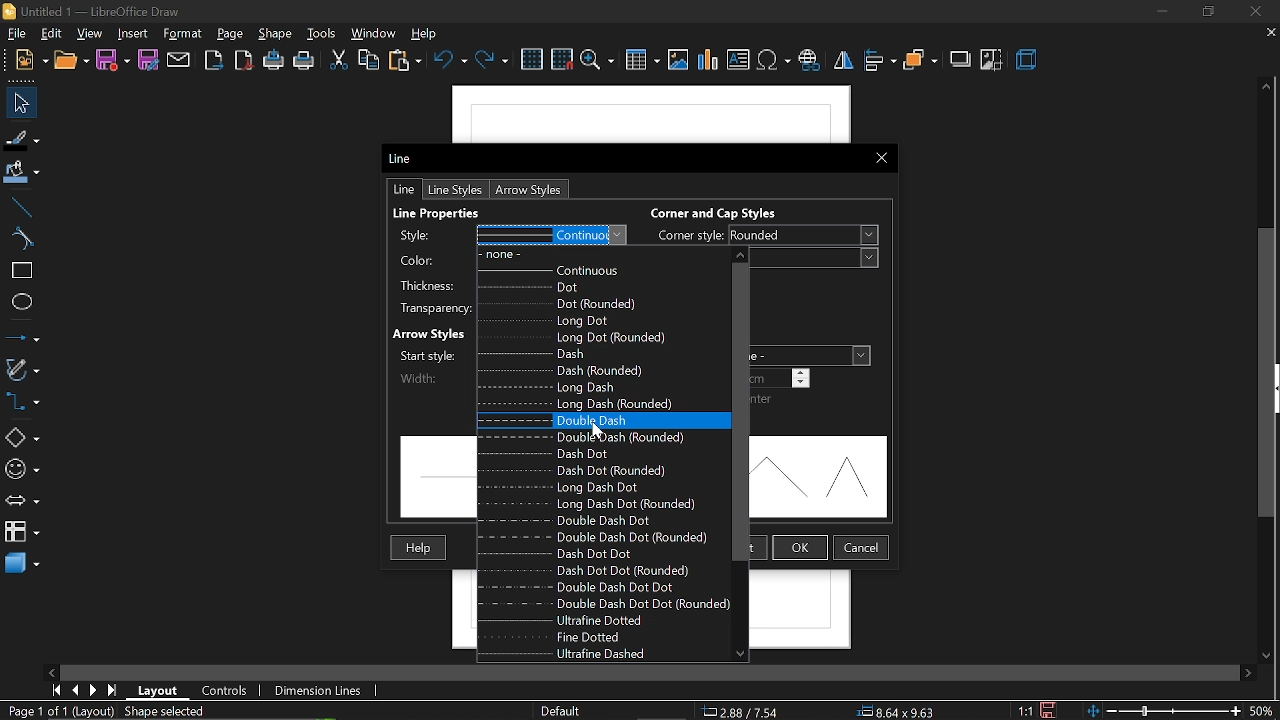 This screenshot has height=720, width=1280. What do you see at coordinates (24, 471) in the screenshot?
I see ` symbol shapes` at bounding box center [24, 471].